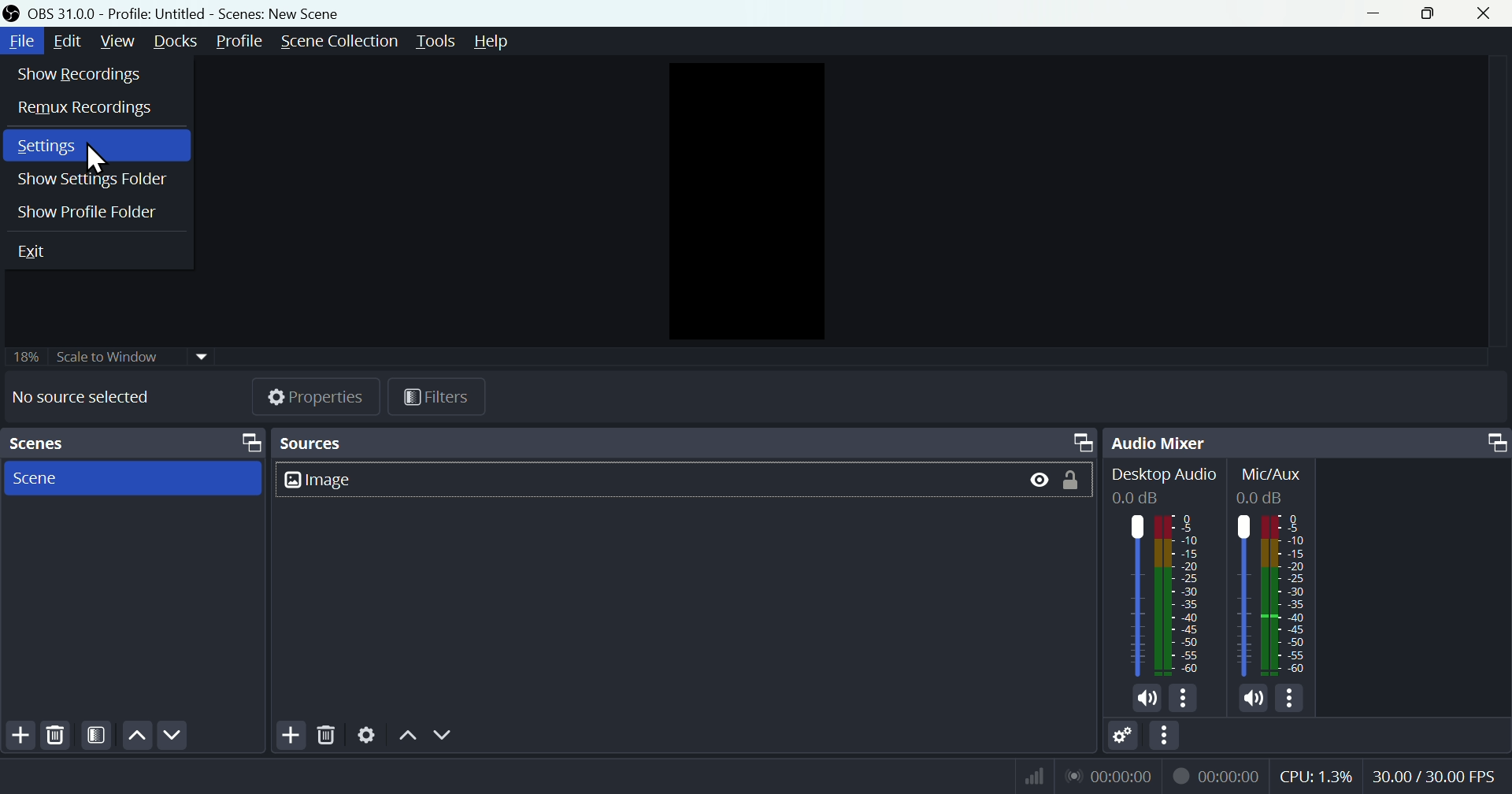 Image resolution: width=1512 pixels, height=794 pixels. Describe the element at coordinates (172, 43) in the screenshot. I see `Docks` at that location.